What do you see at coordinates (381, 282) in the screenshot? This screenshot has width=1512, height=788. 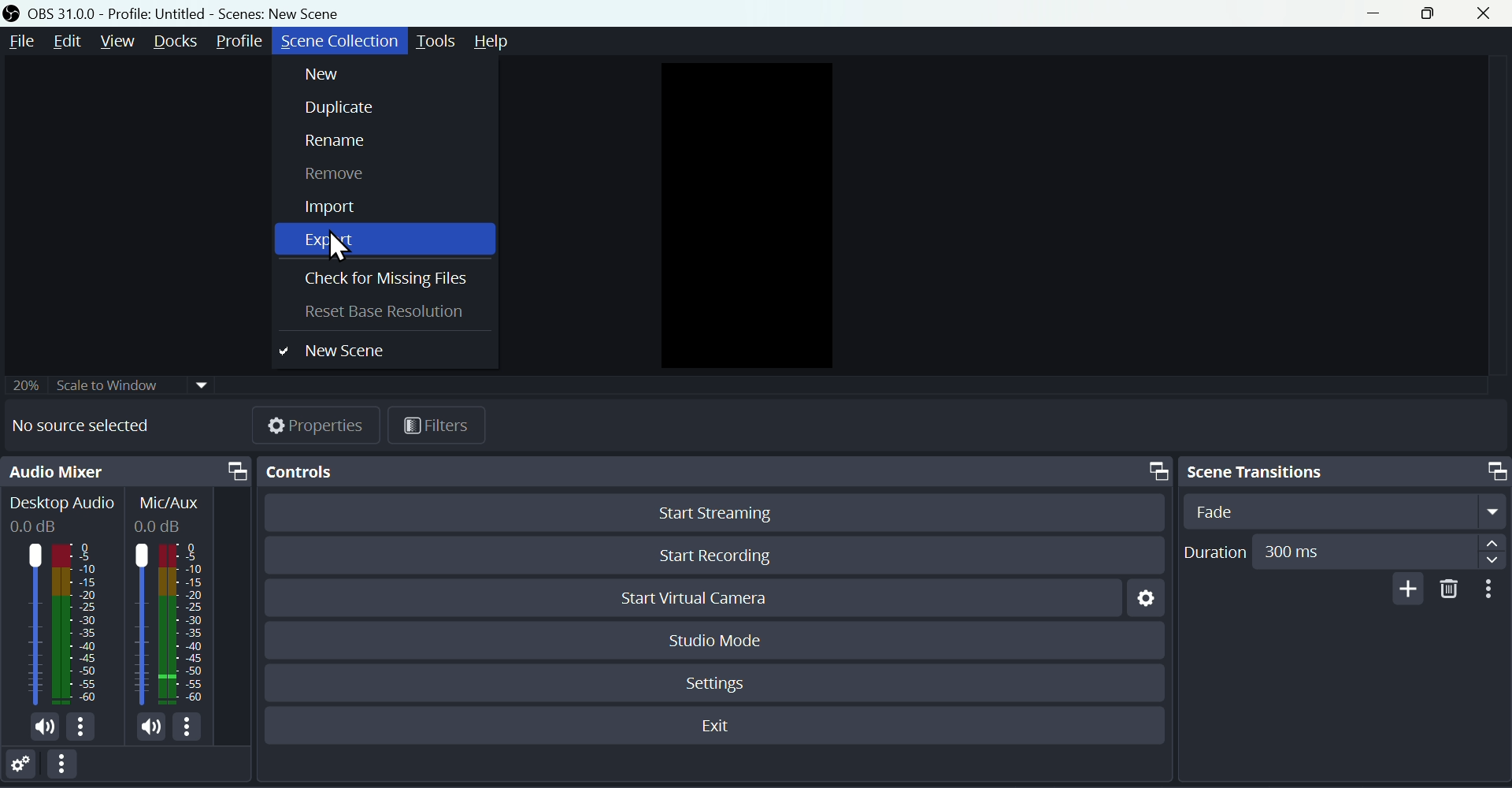 I see `check for missing file` at bounding box center [381, 282].